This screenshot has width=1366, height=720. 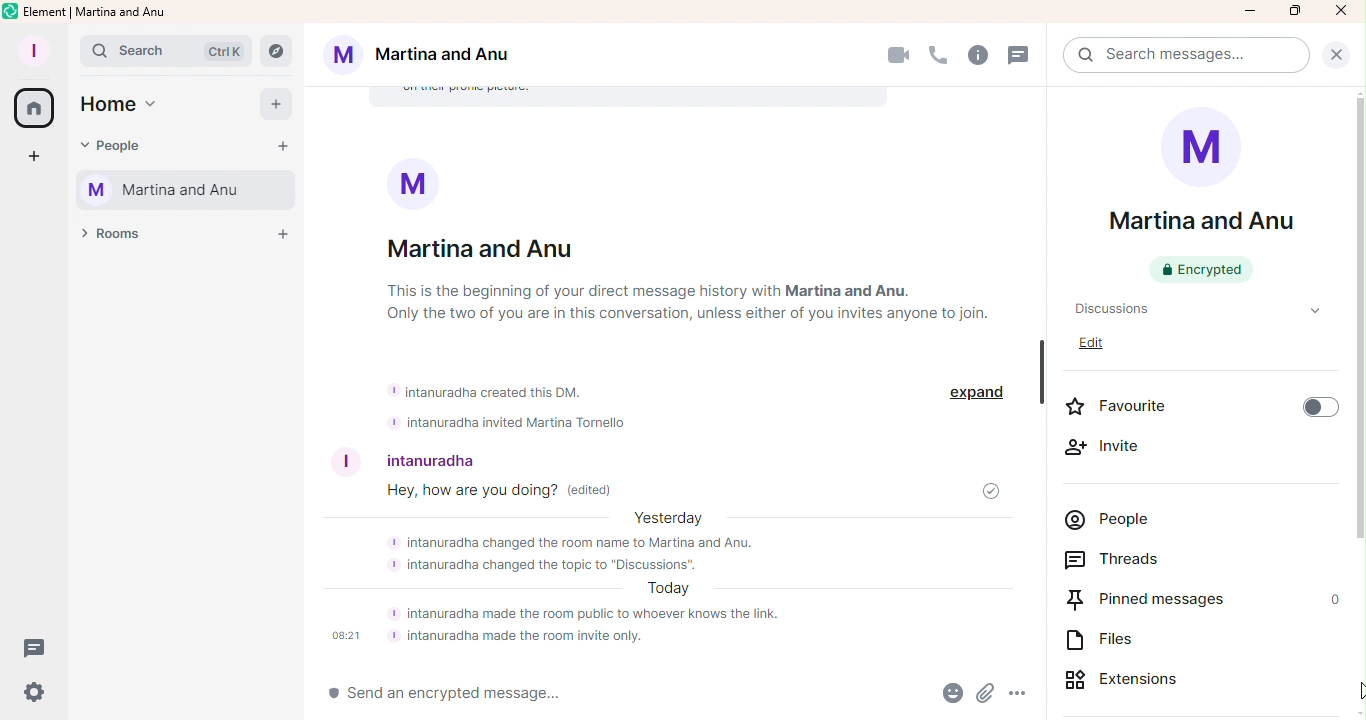 I want to click on Threads, so click(x=40, y=647).